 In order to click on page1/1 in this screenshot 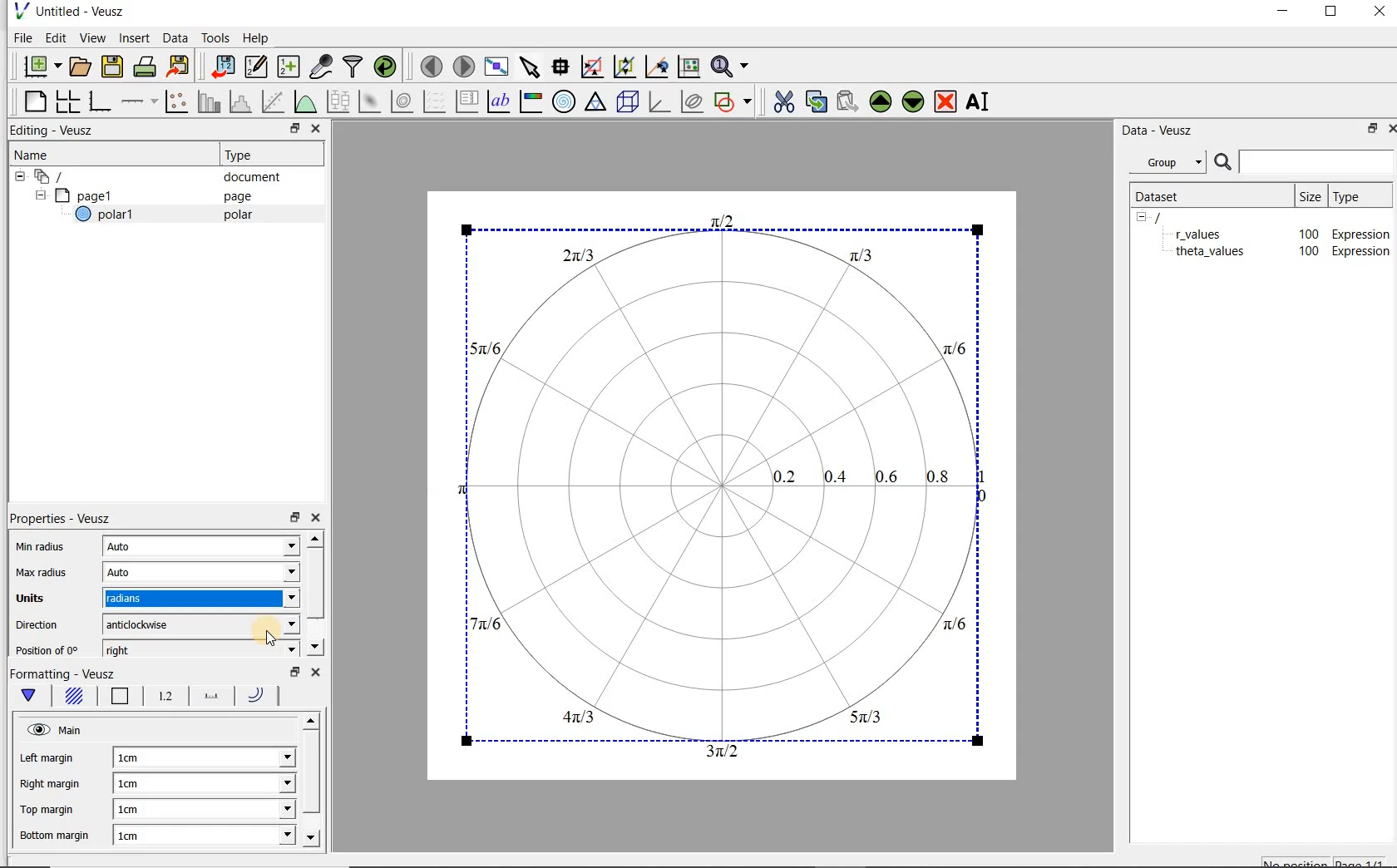, I will do `click(1366, 861)`.